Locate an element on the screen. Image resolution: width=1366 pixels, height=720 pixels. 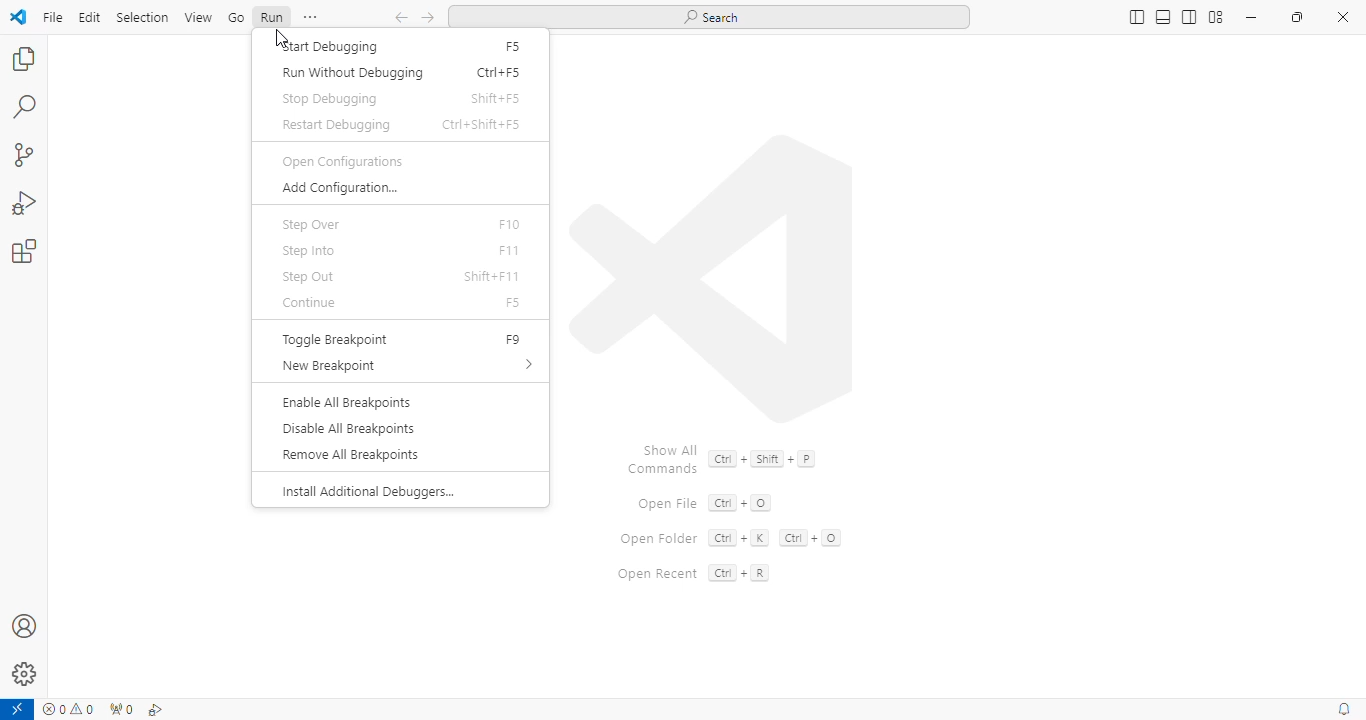
close is located at coordinates (1343, 17).